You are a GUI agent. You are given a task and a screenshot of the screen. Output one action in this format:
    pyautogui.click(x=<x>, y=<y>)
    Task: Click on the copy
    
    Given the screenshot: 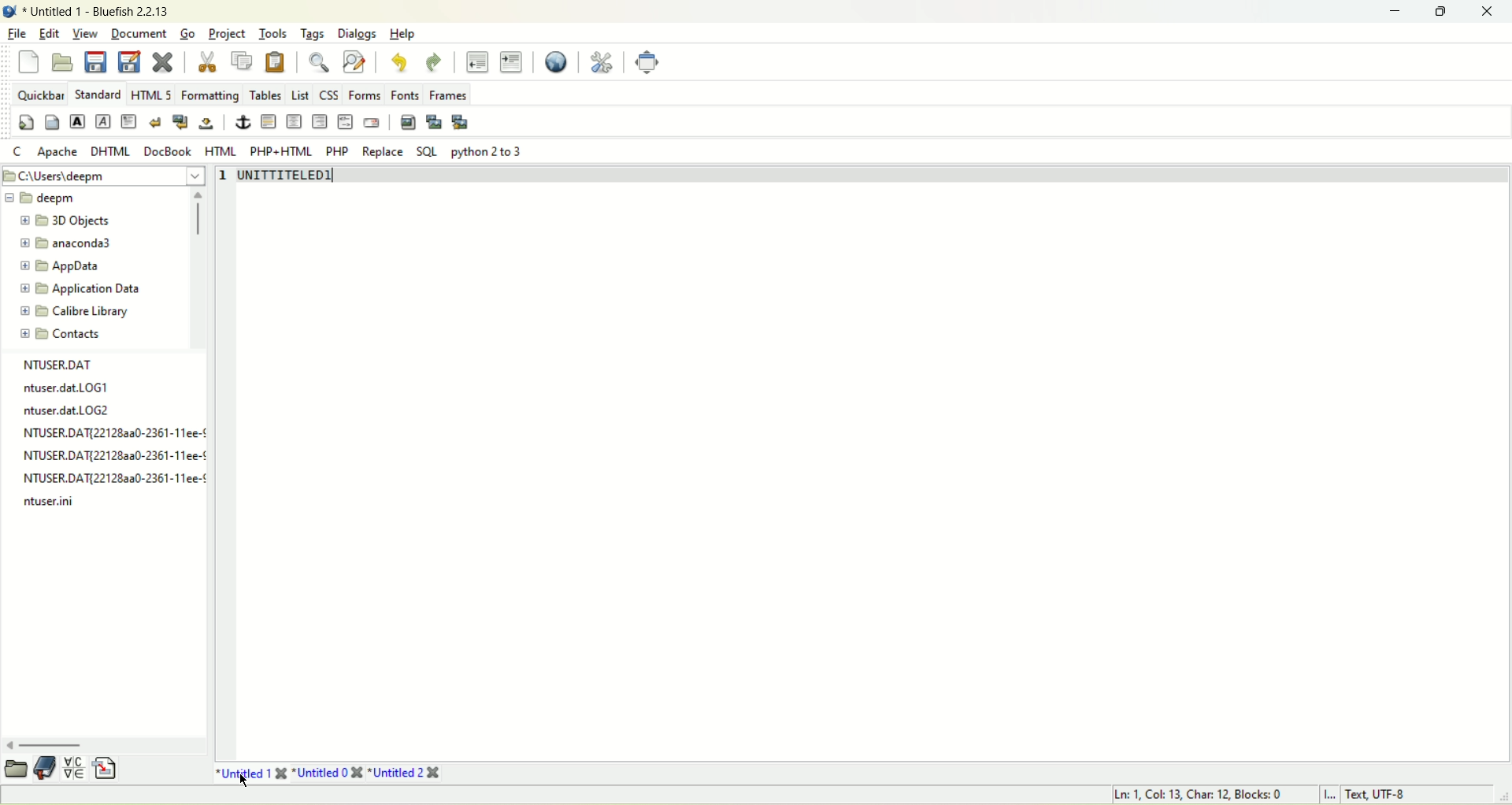 What is the action you would take?
    pyautogui.click(x=244, y=61)
    